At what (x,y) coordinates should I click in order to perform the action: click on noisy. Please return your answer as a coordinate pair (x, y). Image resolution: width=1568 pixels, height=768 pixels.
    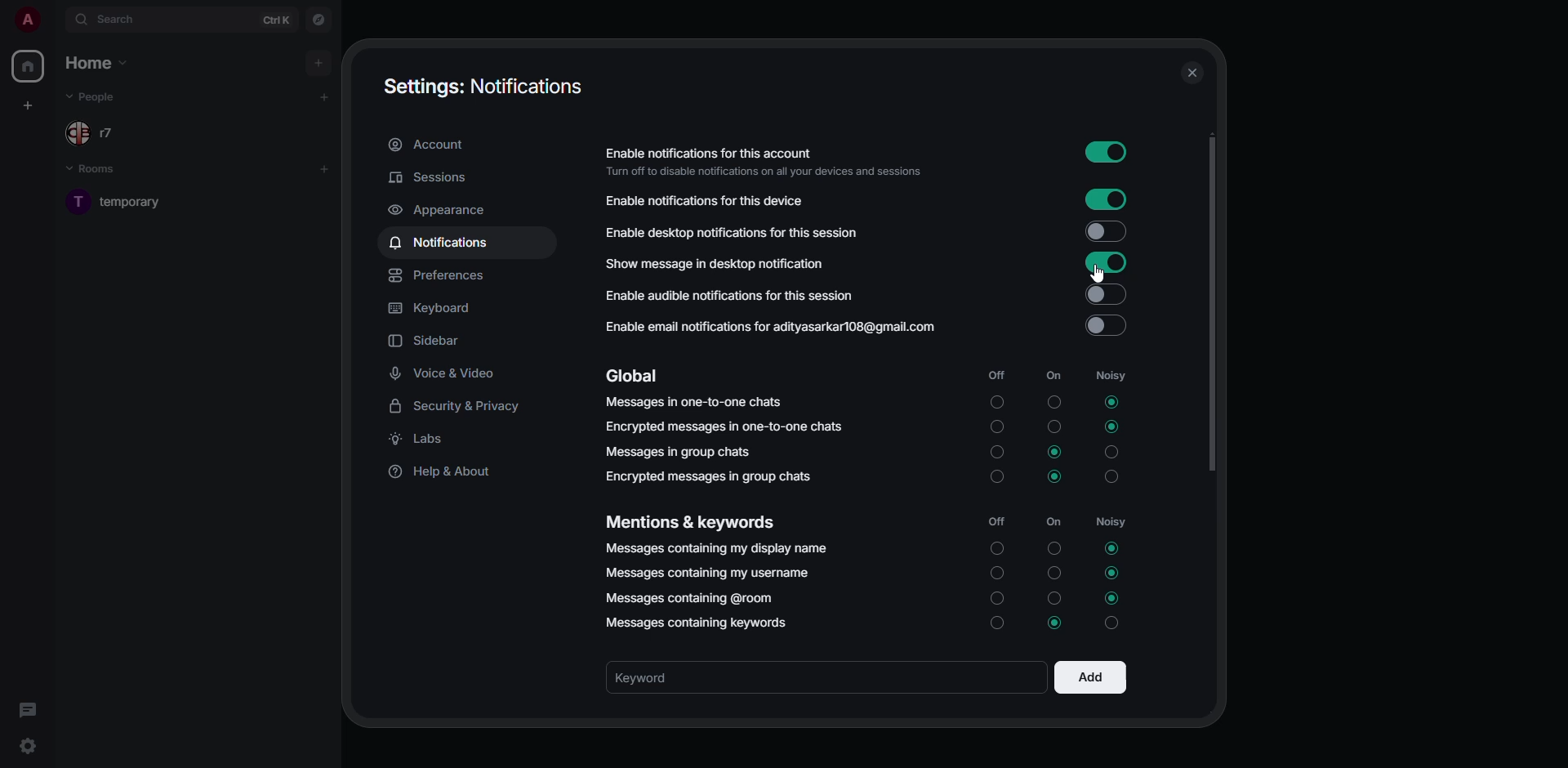
    Looking at the image, I should click on (1110, 375).